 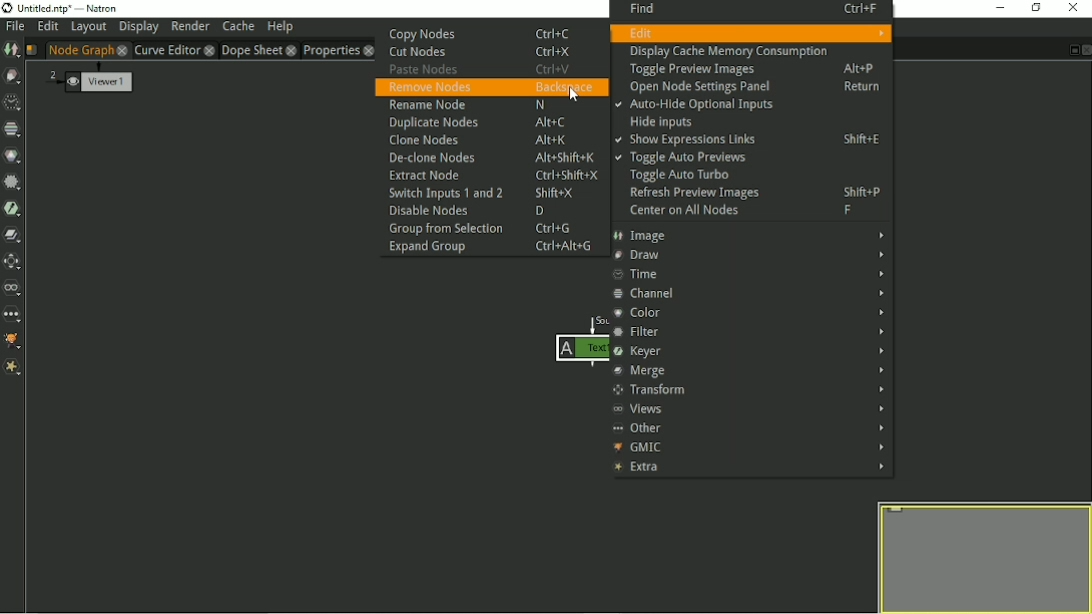 I want to click on Time, so click(x=12, y=103).